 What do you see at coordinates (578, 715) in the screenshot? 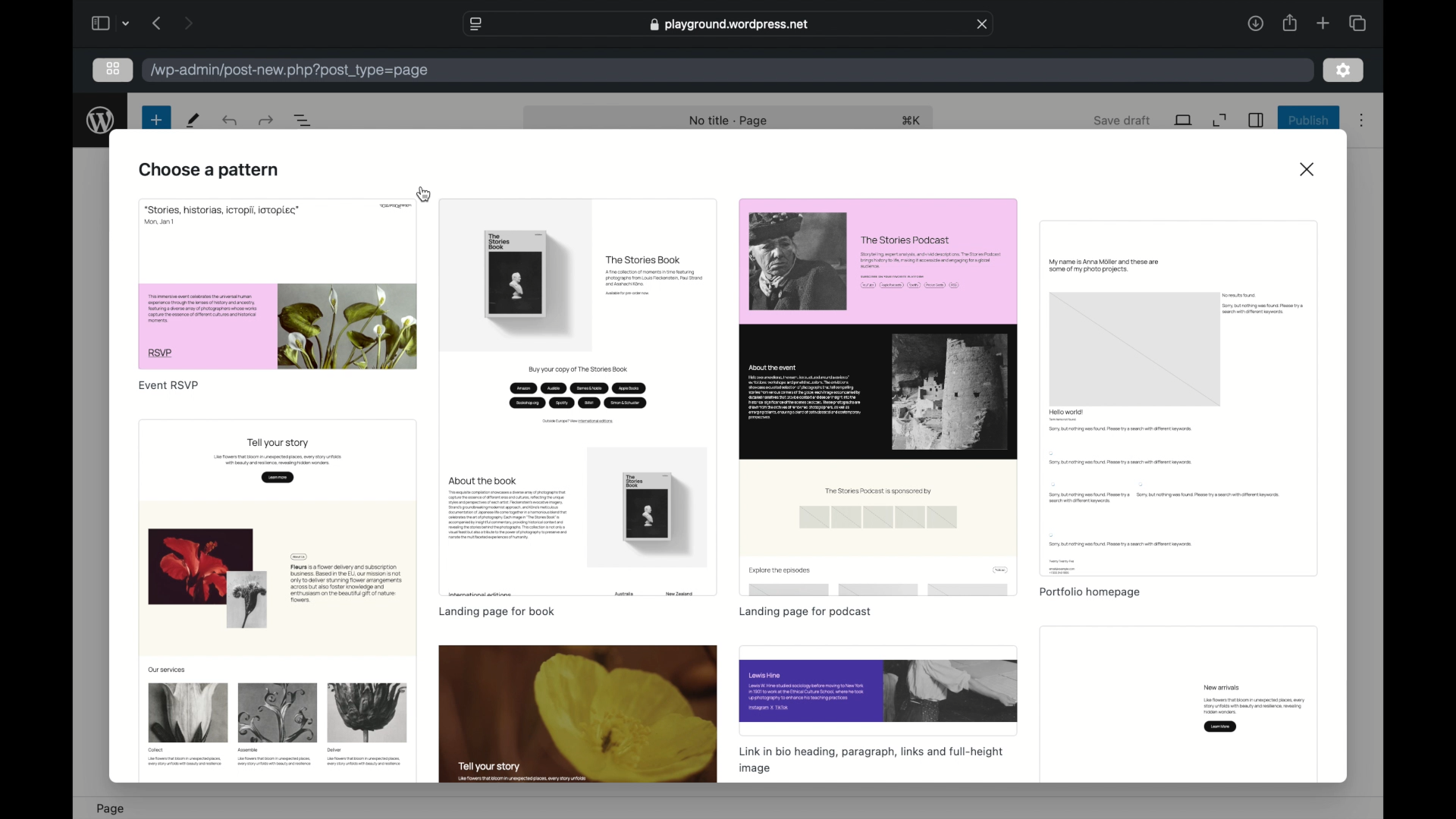
I see `preview` at bounding box center [578, 715].